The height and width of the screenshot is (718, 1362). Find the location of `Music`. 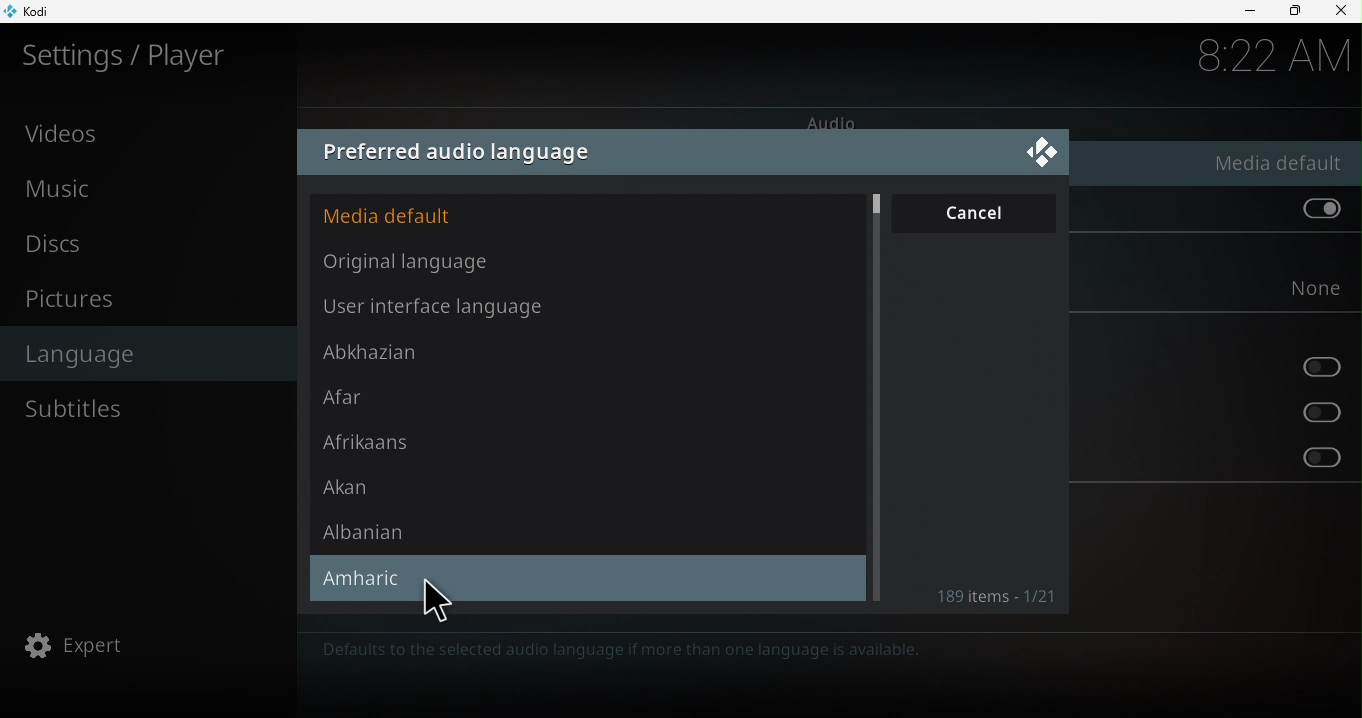

Music is located at coordinates (146, 188).